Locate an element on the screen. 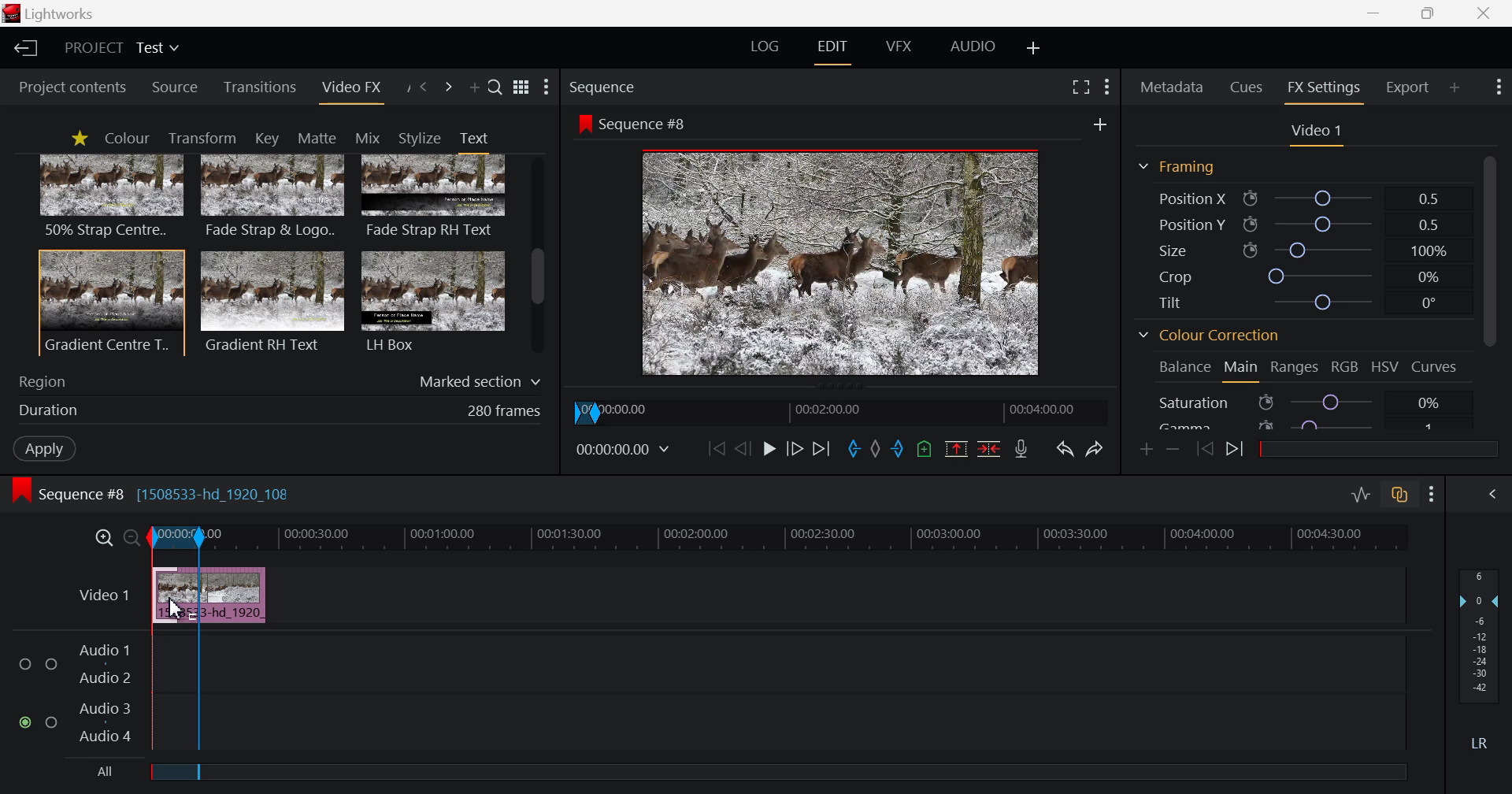 Image resolution: width=1512 pixels, height=794 pixels. Add Layout is located at coordinates (1035, 47).